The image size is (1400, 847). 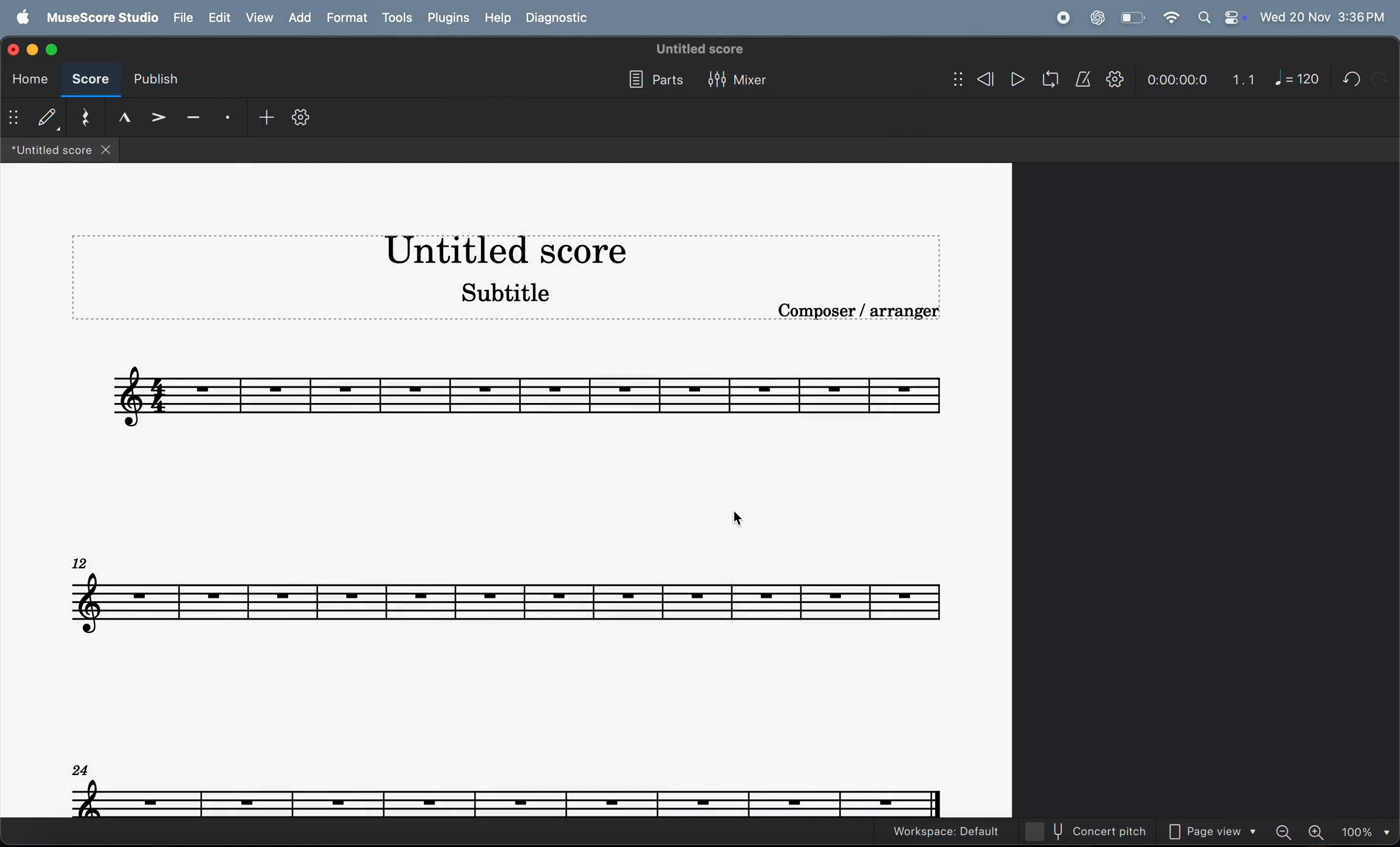 What do you see at coordinates (507, 595) in the screenshot?
I see `notes` at bounding box center [507, 595].